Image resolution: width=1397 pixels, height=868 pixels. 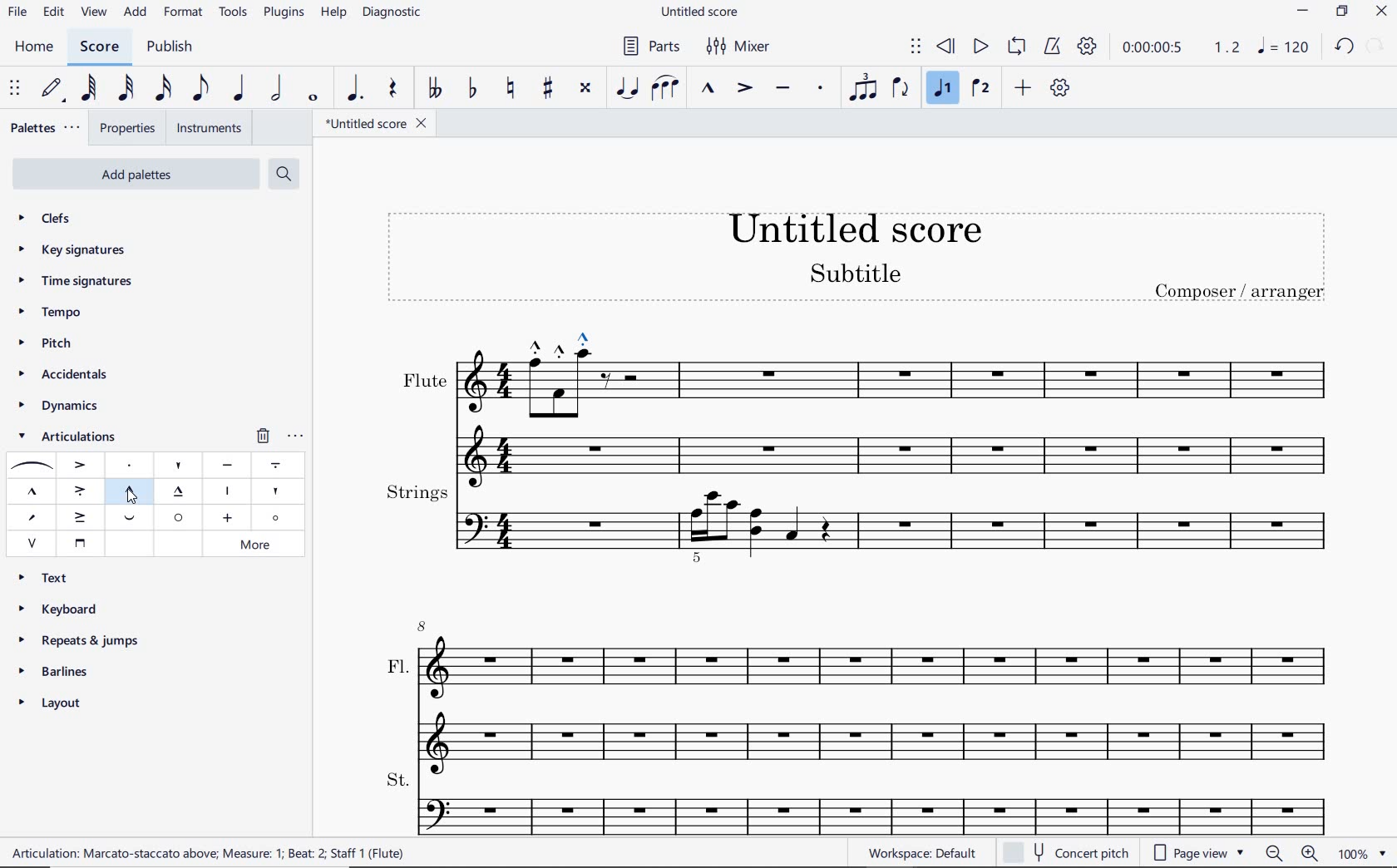 I want to click on STACCATO ABOVE, so click(x=130, y=466).